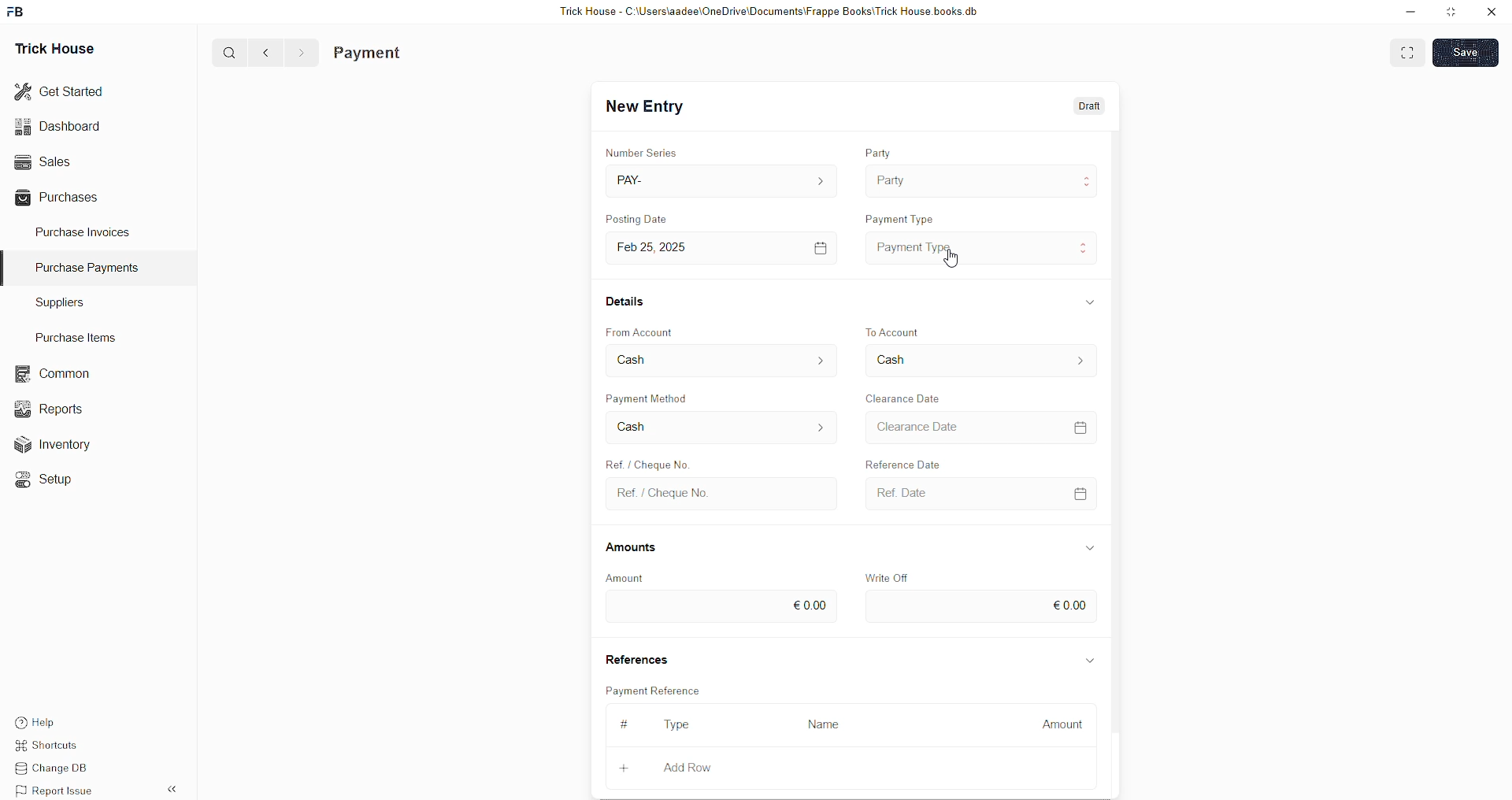 The width and height of the screenshot is (1512, 800). Describe the element at coordinates (661, 361) in the screenshot. I see `From Account` at that location.